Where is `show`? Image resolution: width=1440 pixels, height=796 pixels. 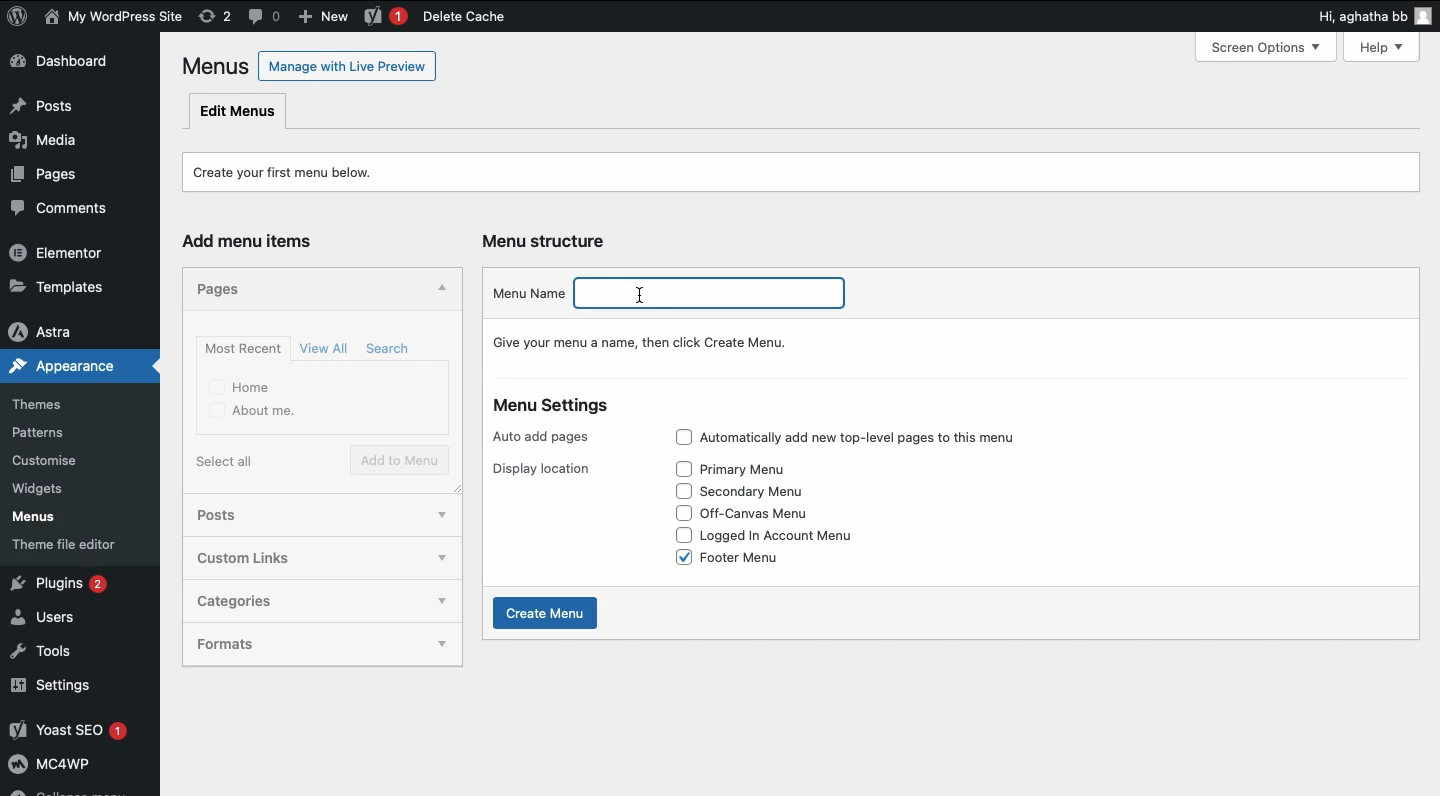 show is located at coordinates (441, 646).